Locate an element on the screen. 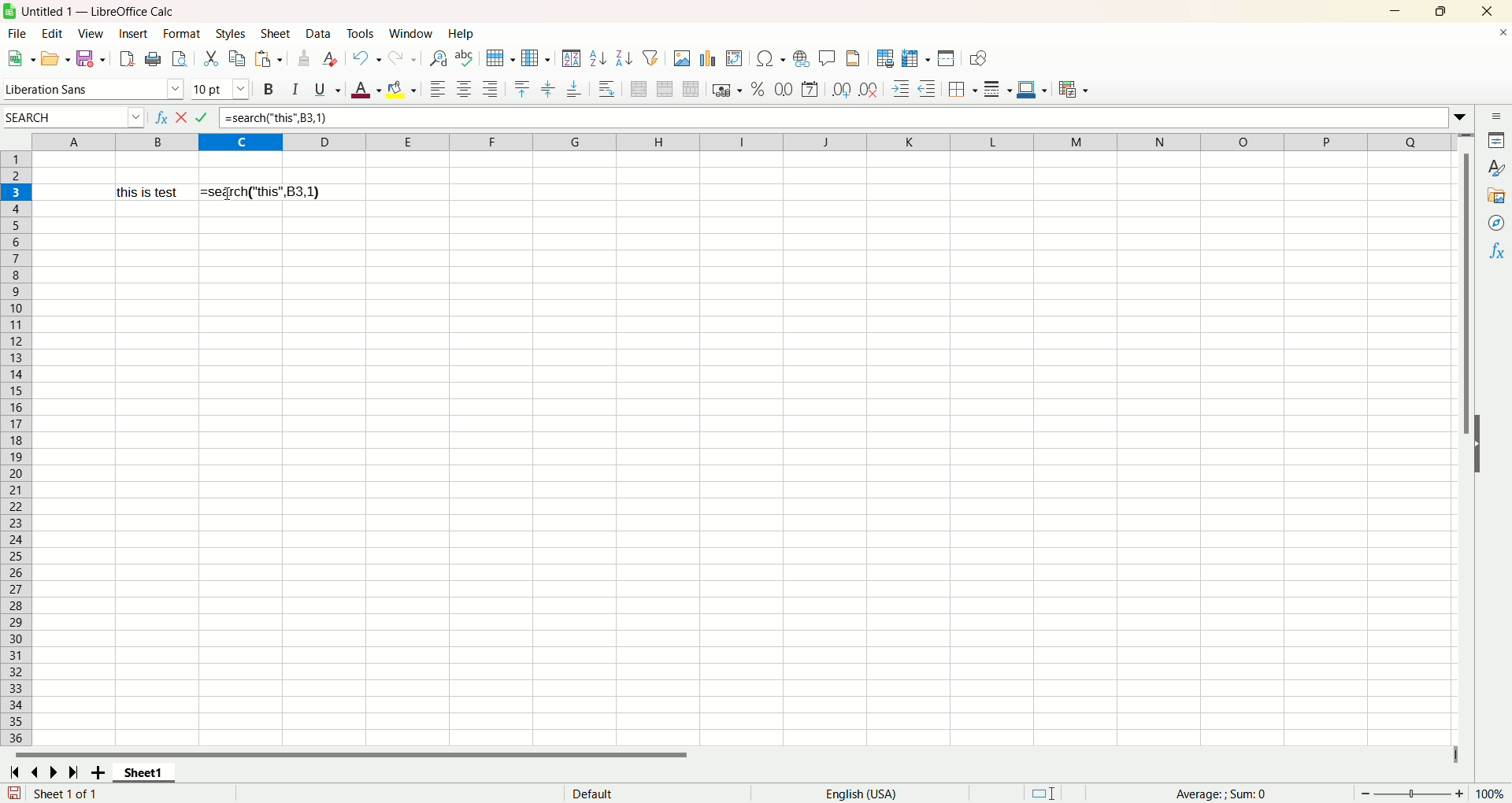  undo is located at coordinates (367, 57).